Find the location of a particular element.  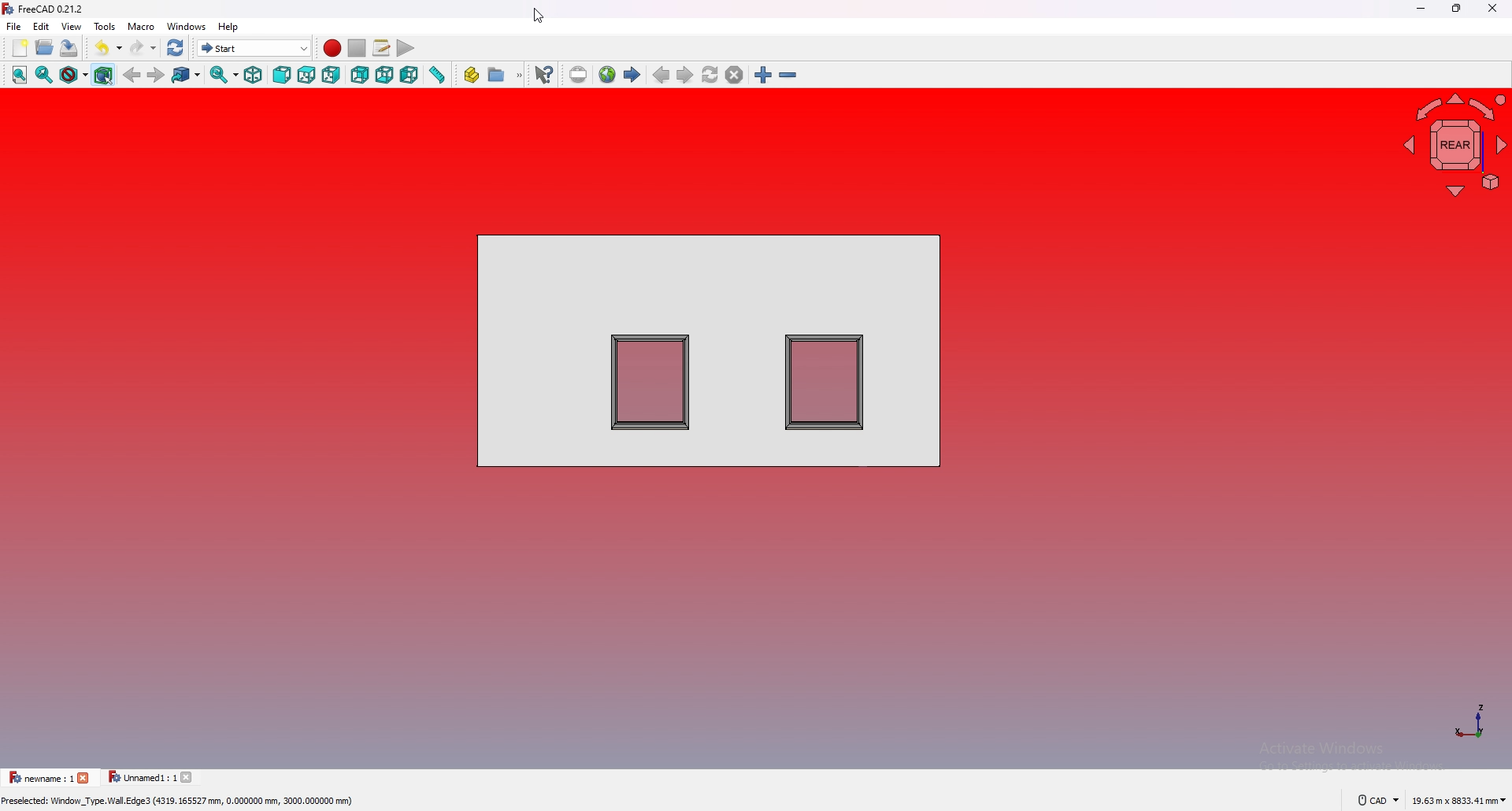

undo is located at coordinates (110, 47).